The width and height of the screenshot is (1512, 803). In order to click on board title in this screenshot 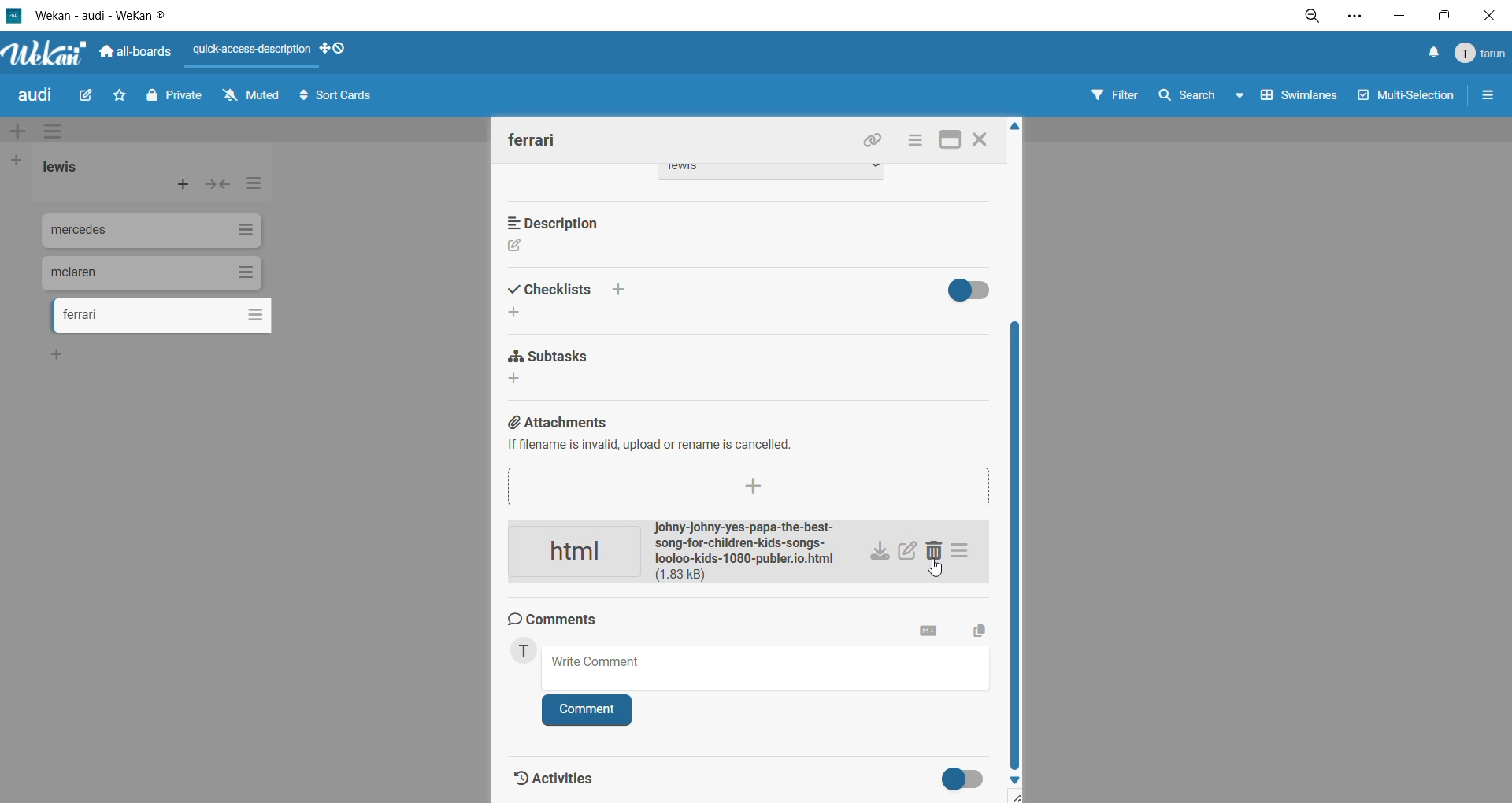, I will do `click(35, 97)`.